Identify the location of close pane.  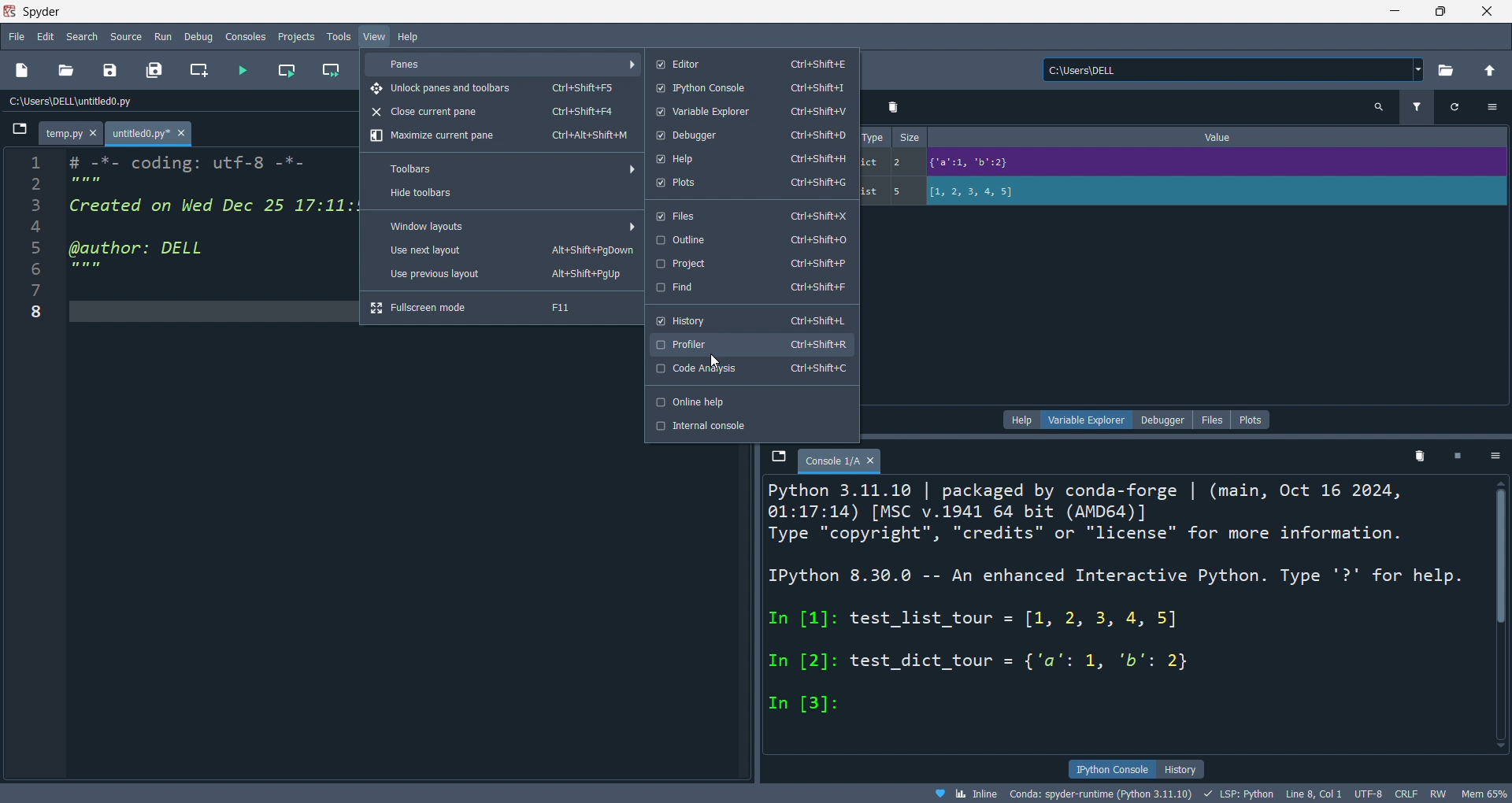
(498, 111).